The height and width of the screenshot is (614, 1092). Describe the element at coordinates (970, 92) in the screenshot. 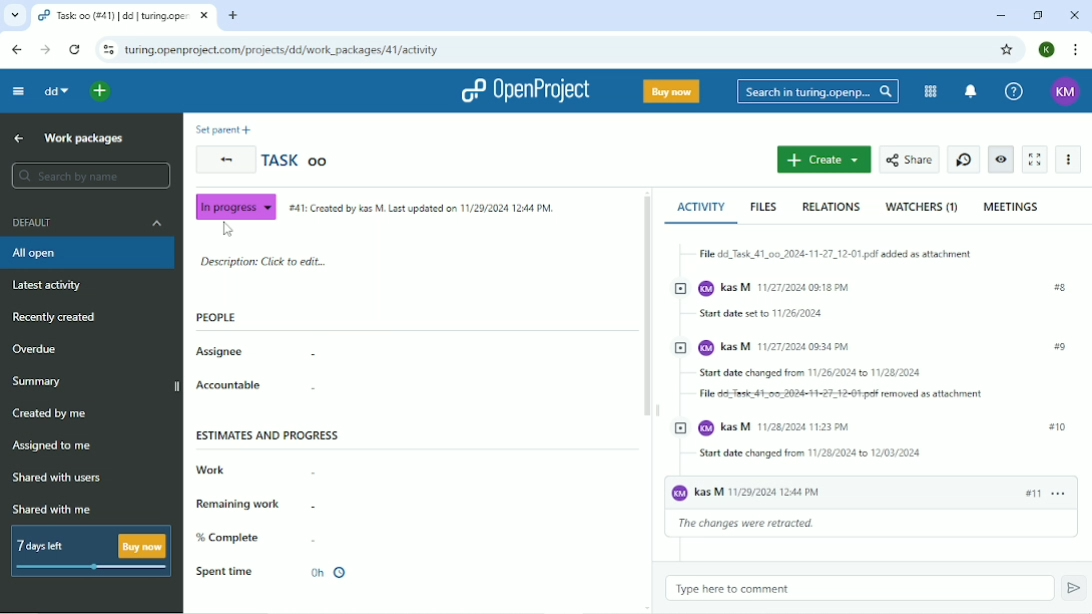

I see `To notification center` at that location.